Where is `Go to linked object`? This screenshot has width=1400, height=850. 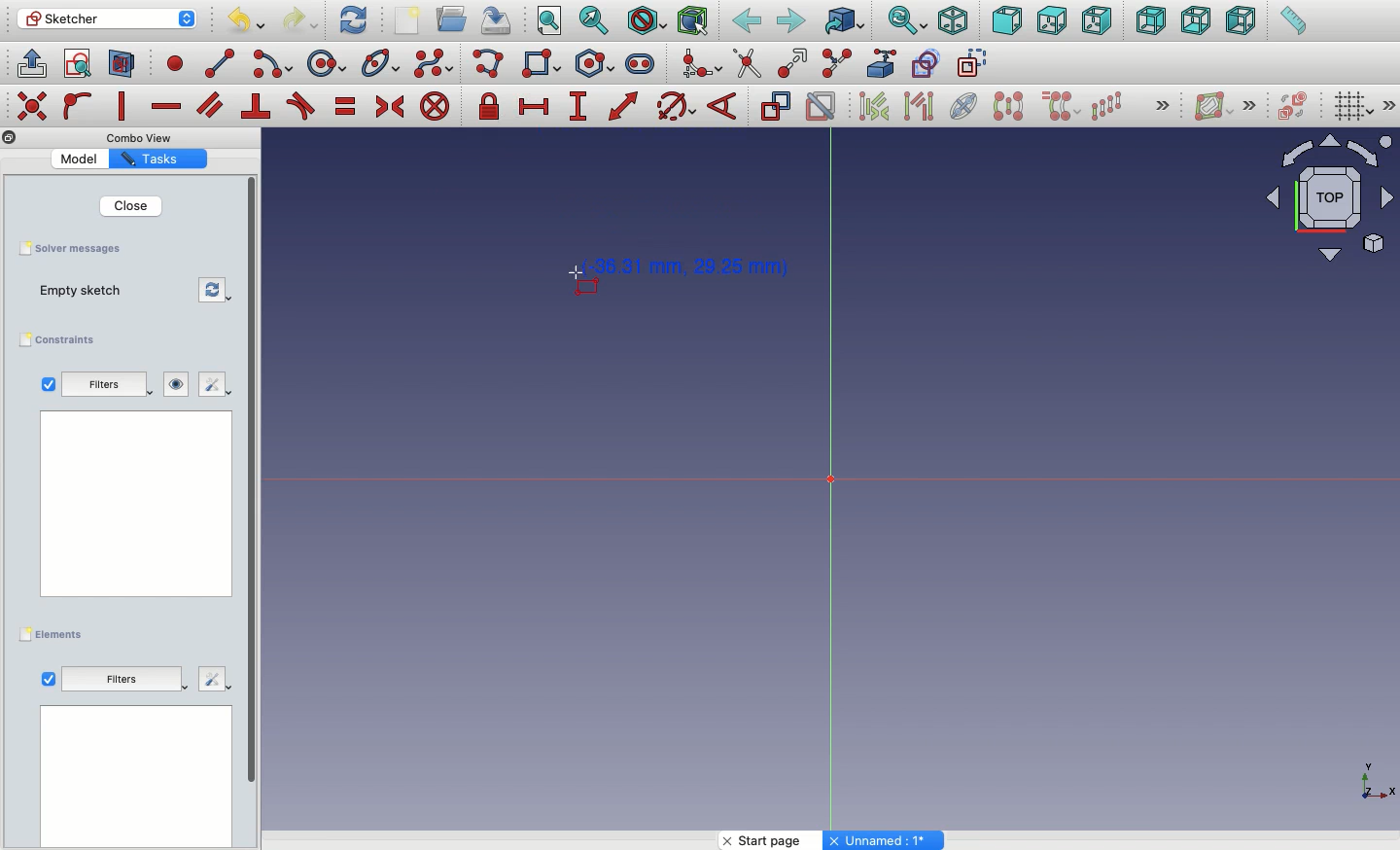 Go to linked object is located at coordinates (845, 22).